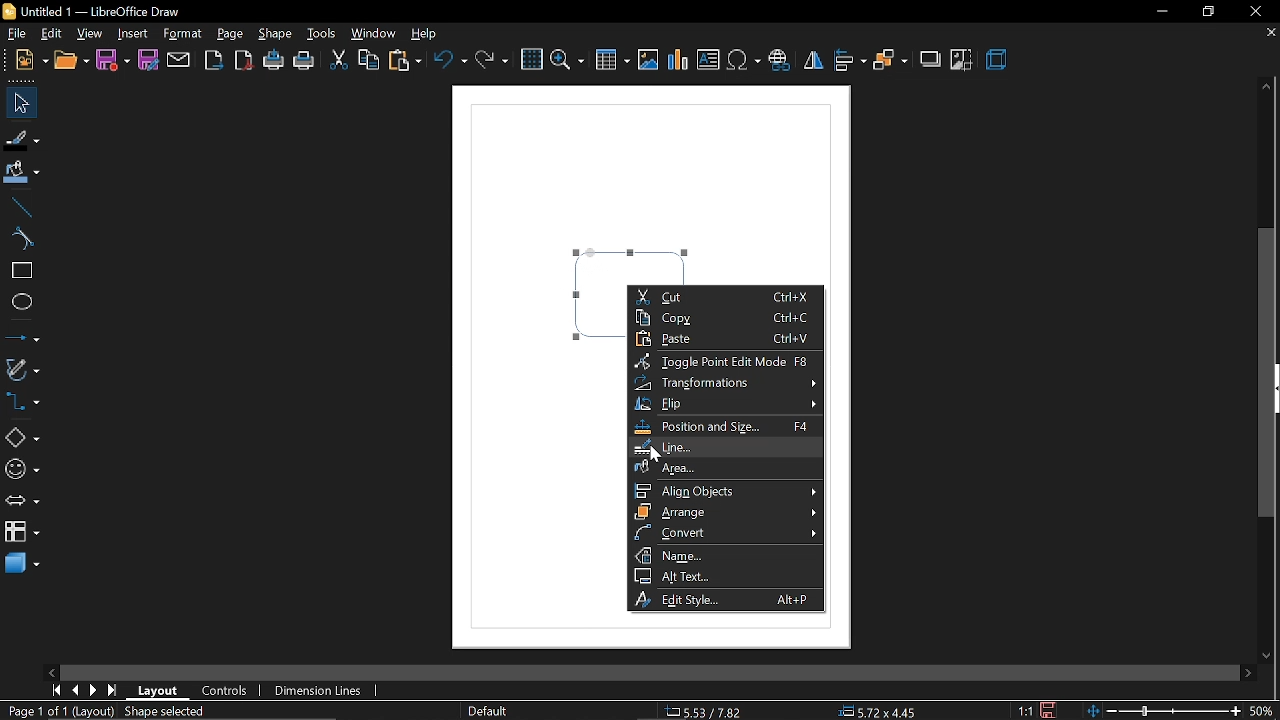 Image resolution: width=1280 pixels, height=720 pixels. What do you see at coordinates (729, 383) in the screenshot?
I see `transformations` at bounding box center [729, 383].